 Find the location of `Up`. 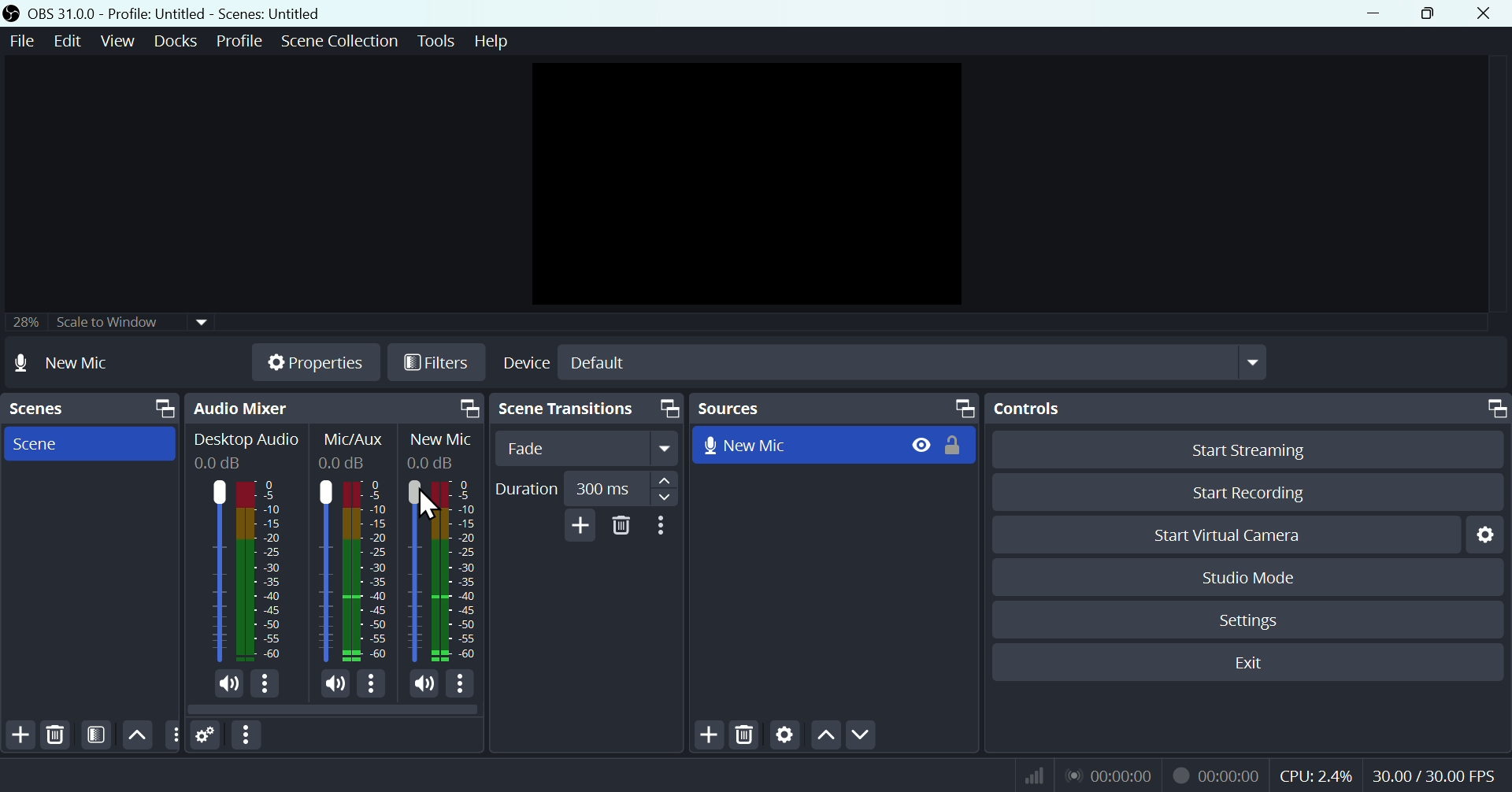

Up is located at coordinates (135, 735).